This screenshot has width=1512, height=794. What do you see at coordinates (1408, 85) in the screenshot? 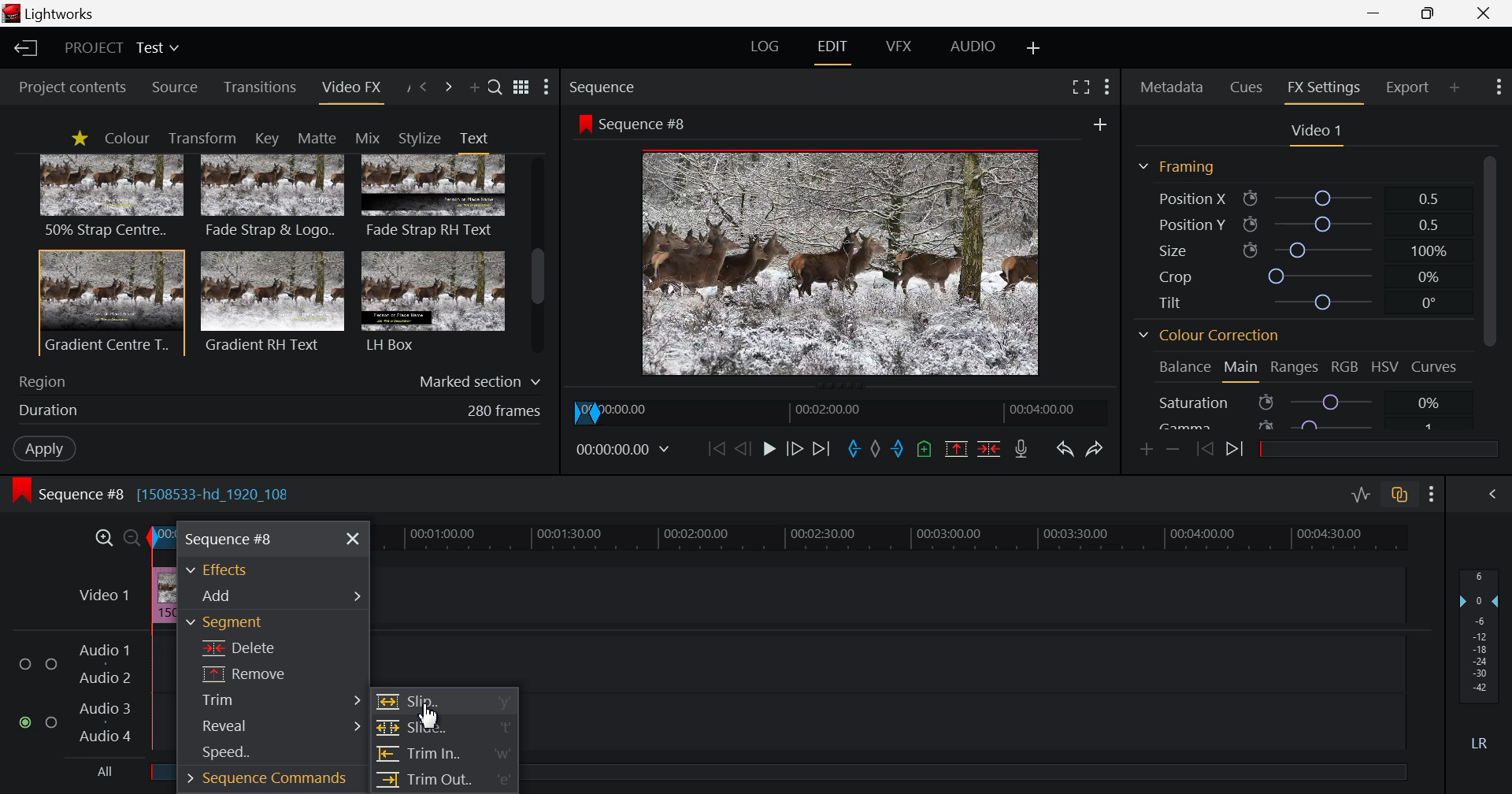
I see `Export` at bounding box center [1408, 85].